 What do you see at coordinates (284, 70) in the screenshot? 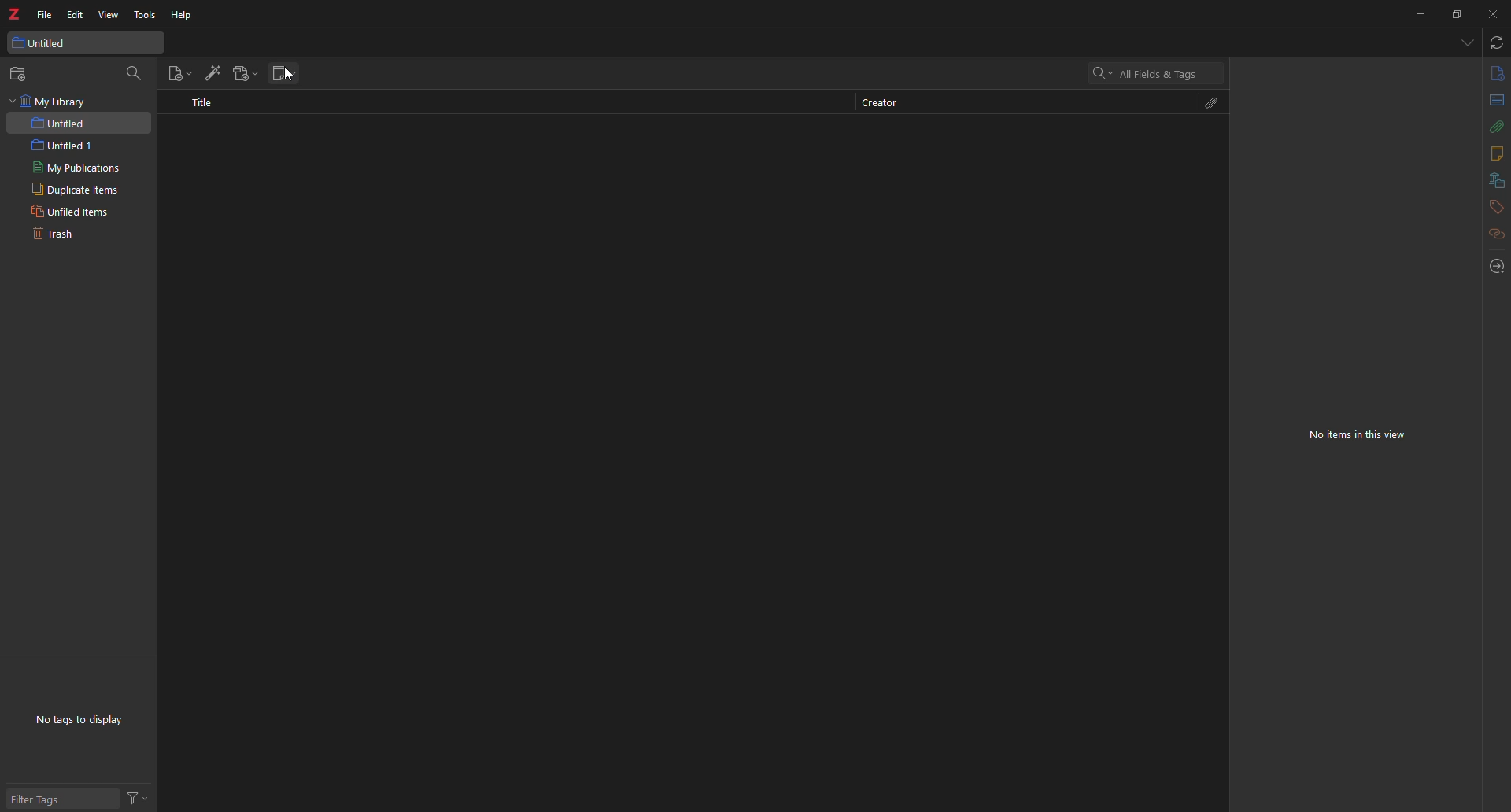
I see `new note` at bounding box center [284, 70].